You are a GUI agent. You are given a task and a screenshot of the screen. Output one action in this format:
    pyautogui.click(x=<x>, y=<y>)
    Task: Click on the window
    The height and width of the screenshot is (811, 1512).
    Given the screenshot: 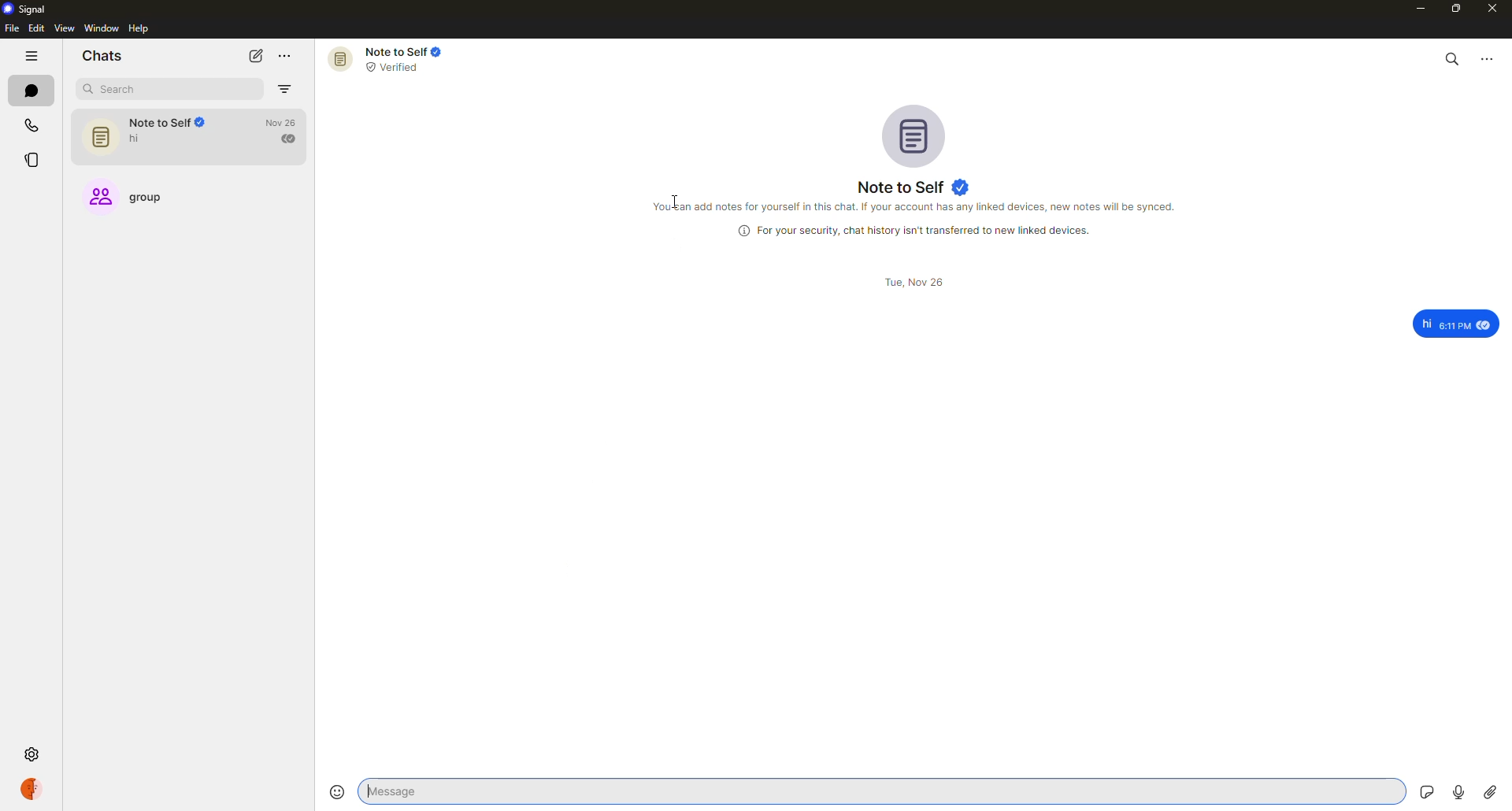 What is the action you would take?
    pyautogui.click(x=102, y=28)
    